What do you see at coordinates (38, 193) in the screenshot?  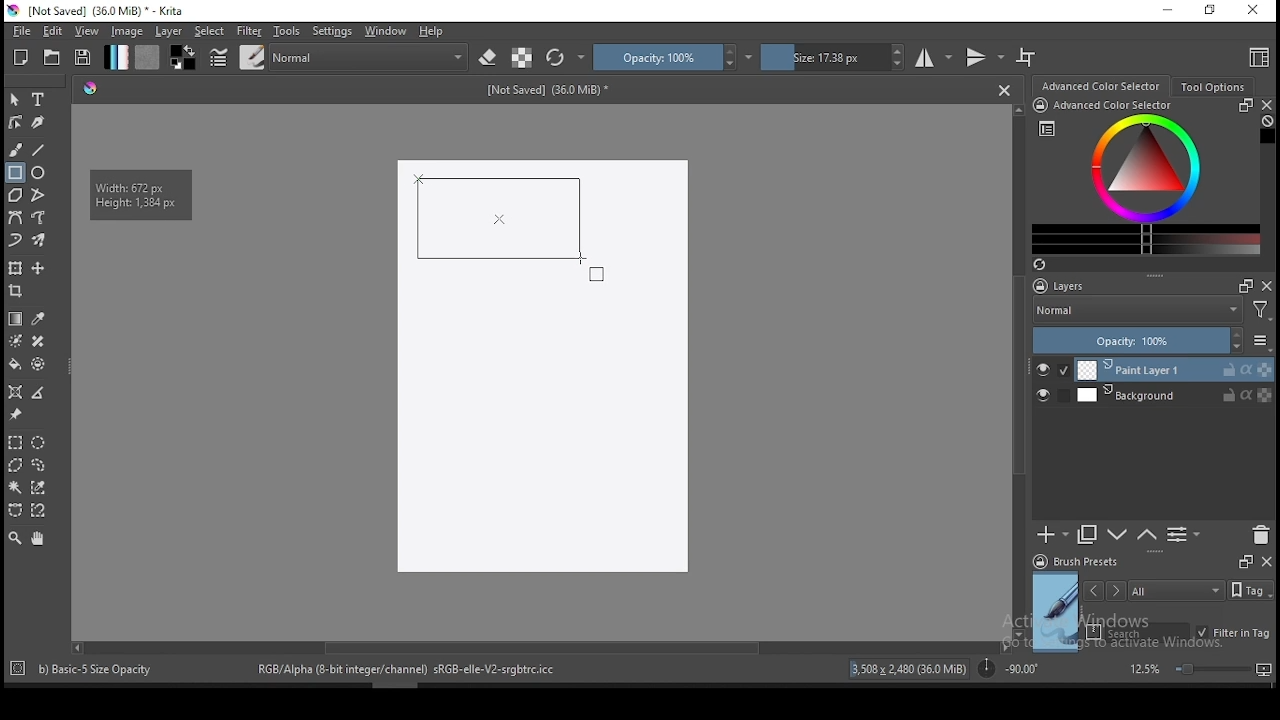 I see `polyline tool` at bounding box center [38, 193].